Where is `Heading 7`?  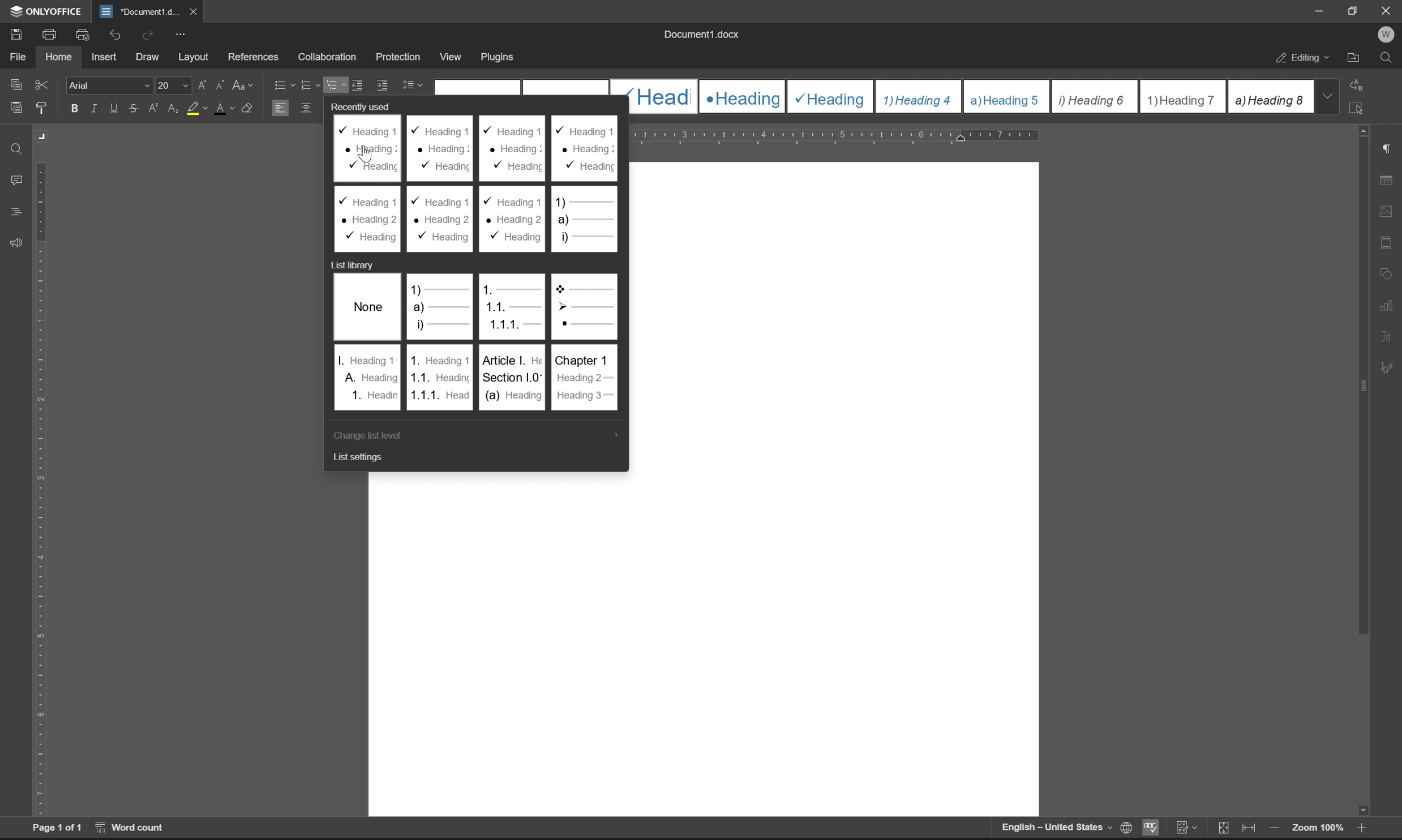
Heading 7 is located at coordinates (1183, 97).